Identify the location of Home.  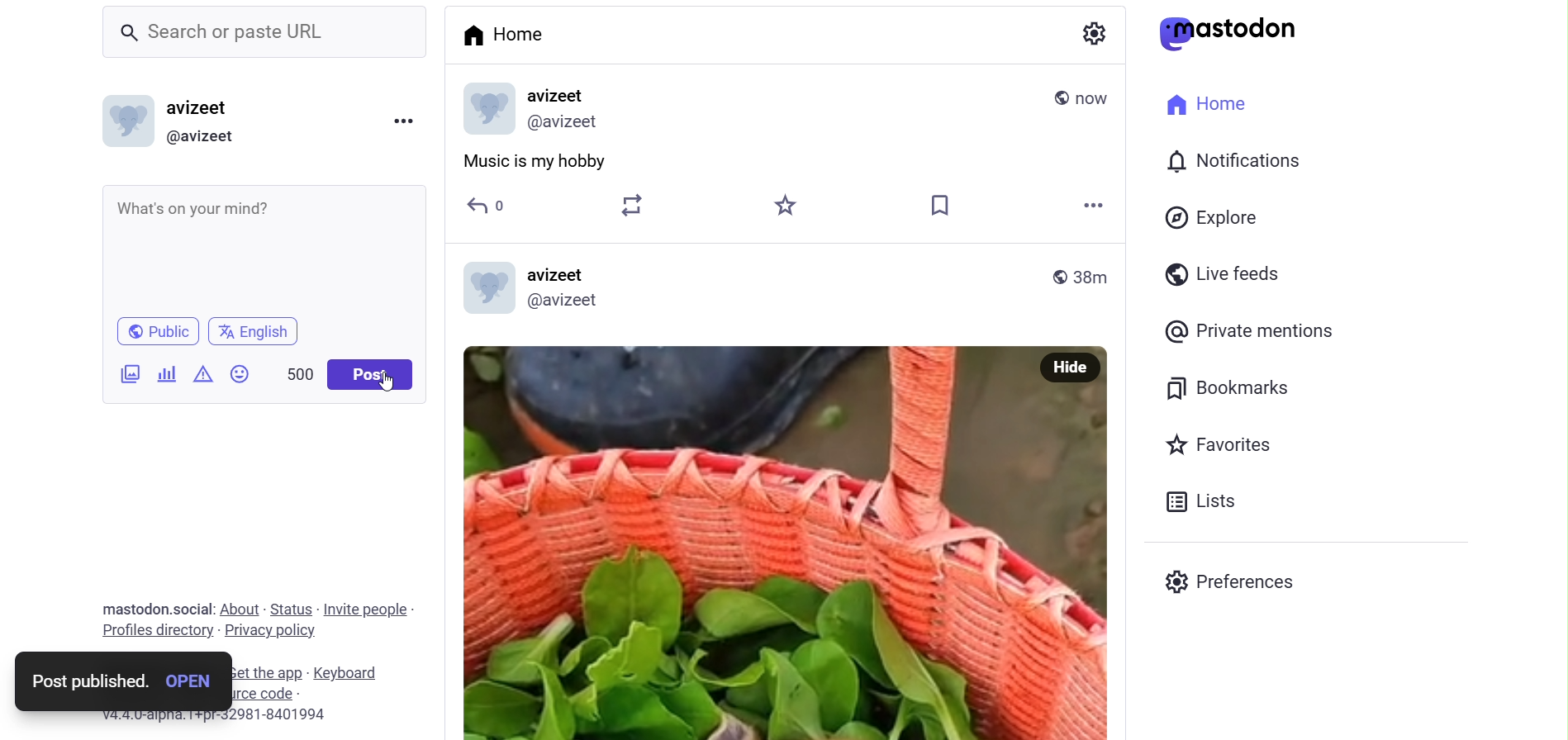
(512, 37).